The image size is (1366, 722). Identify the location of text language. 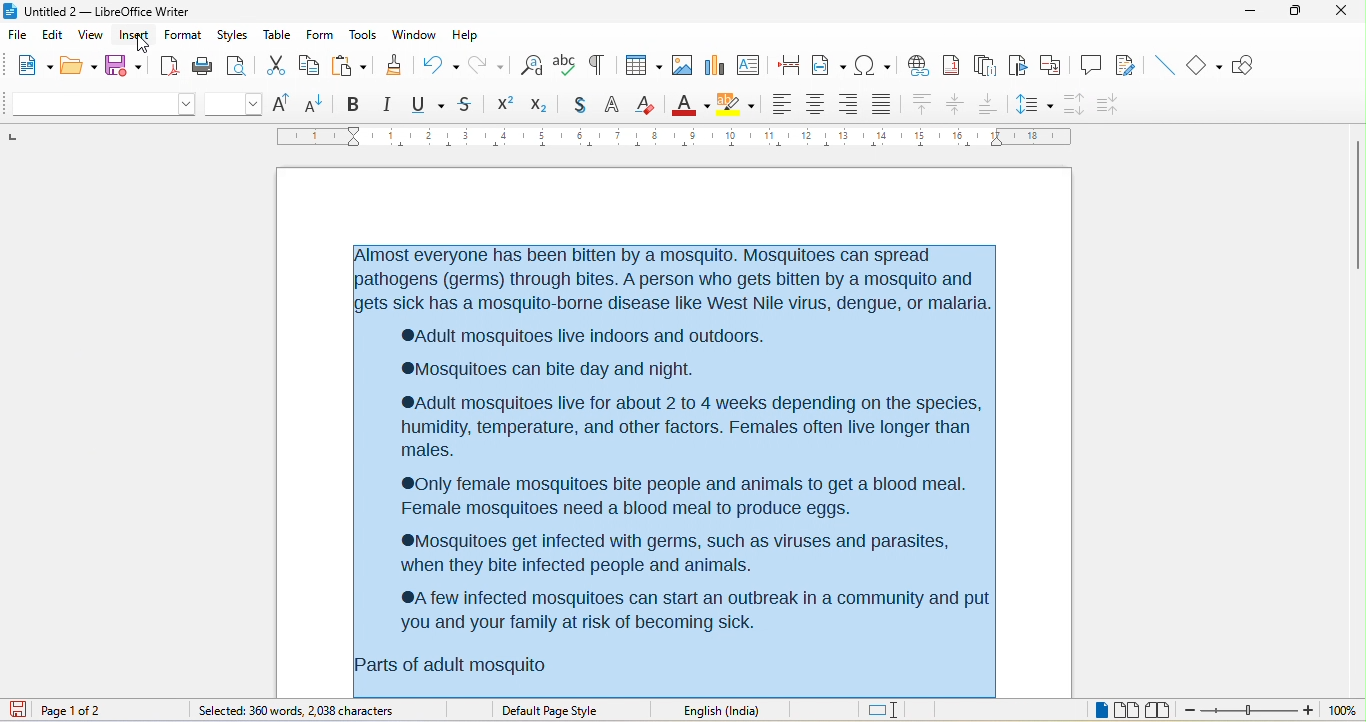
(729, 711).